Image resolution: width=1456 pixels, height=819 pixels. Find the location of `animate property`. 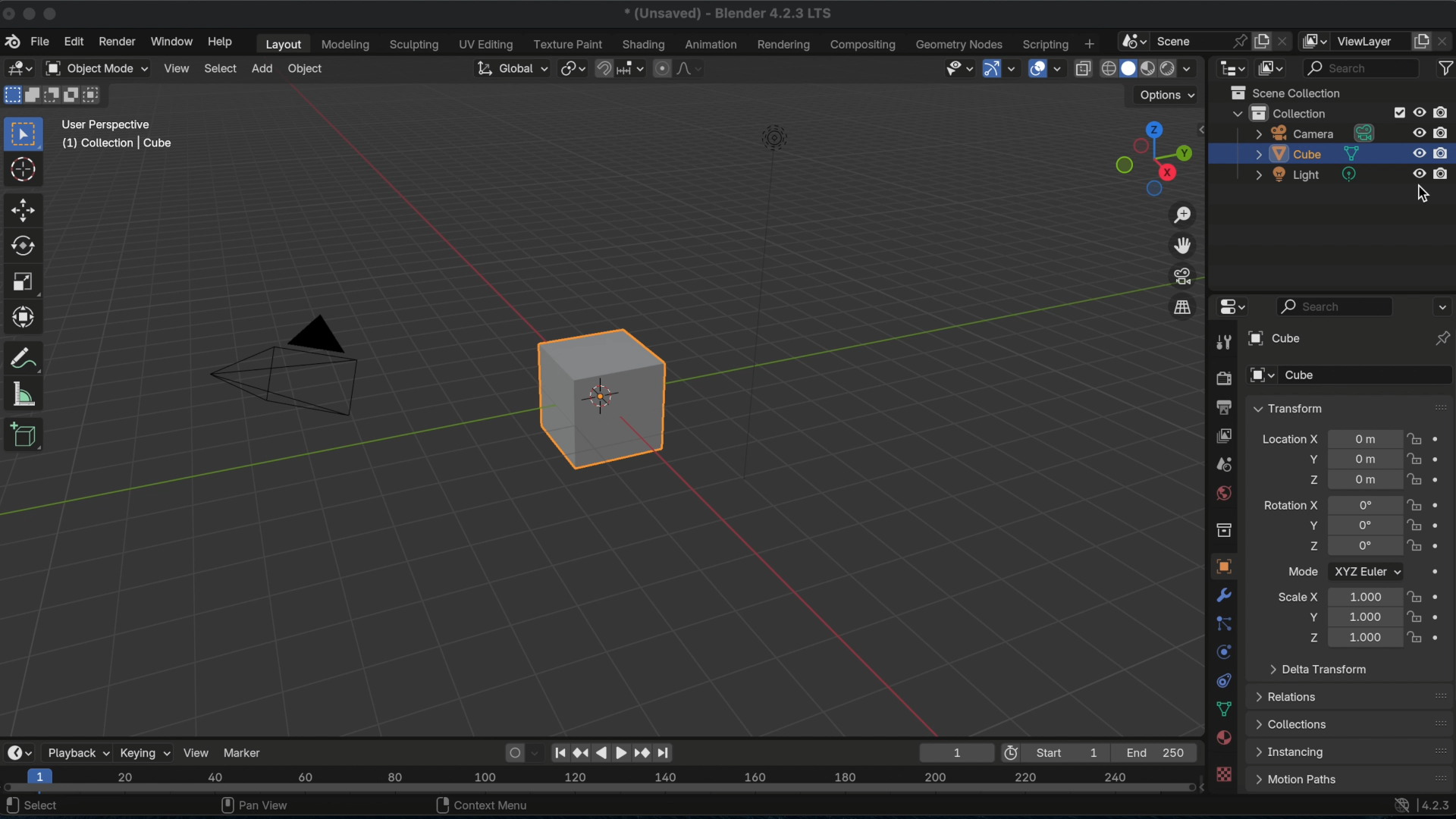

animate property is located at coordinates (1442, 616).